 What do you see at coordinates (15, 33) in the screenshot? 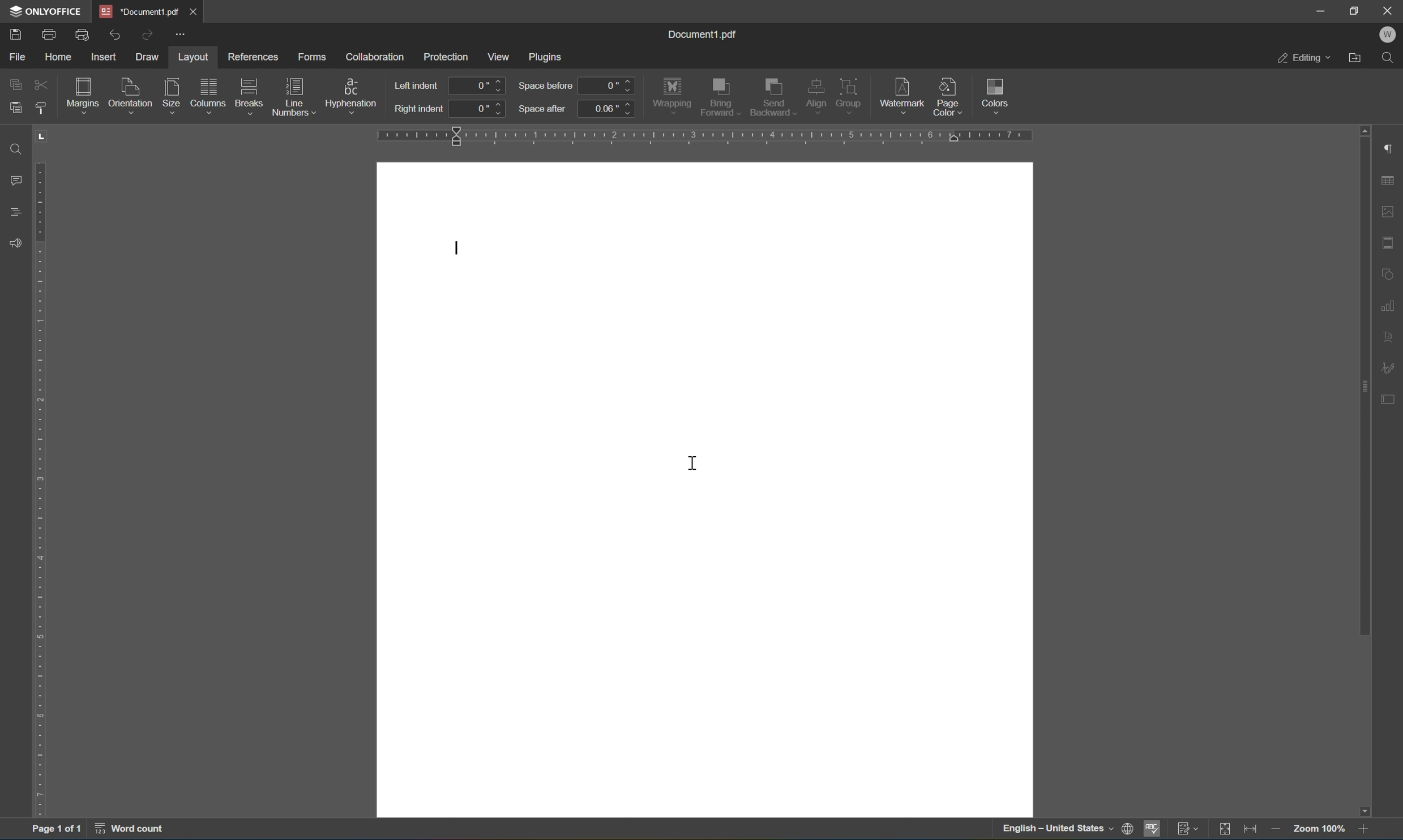
I see `save` at bounding box center [15, 33].